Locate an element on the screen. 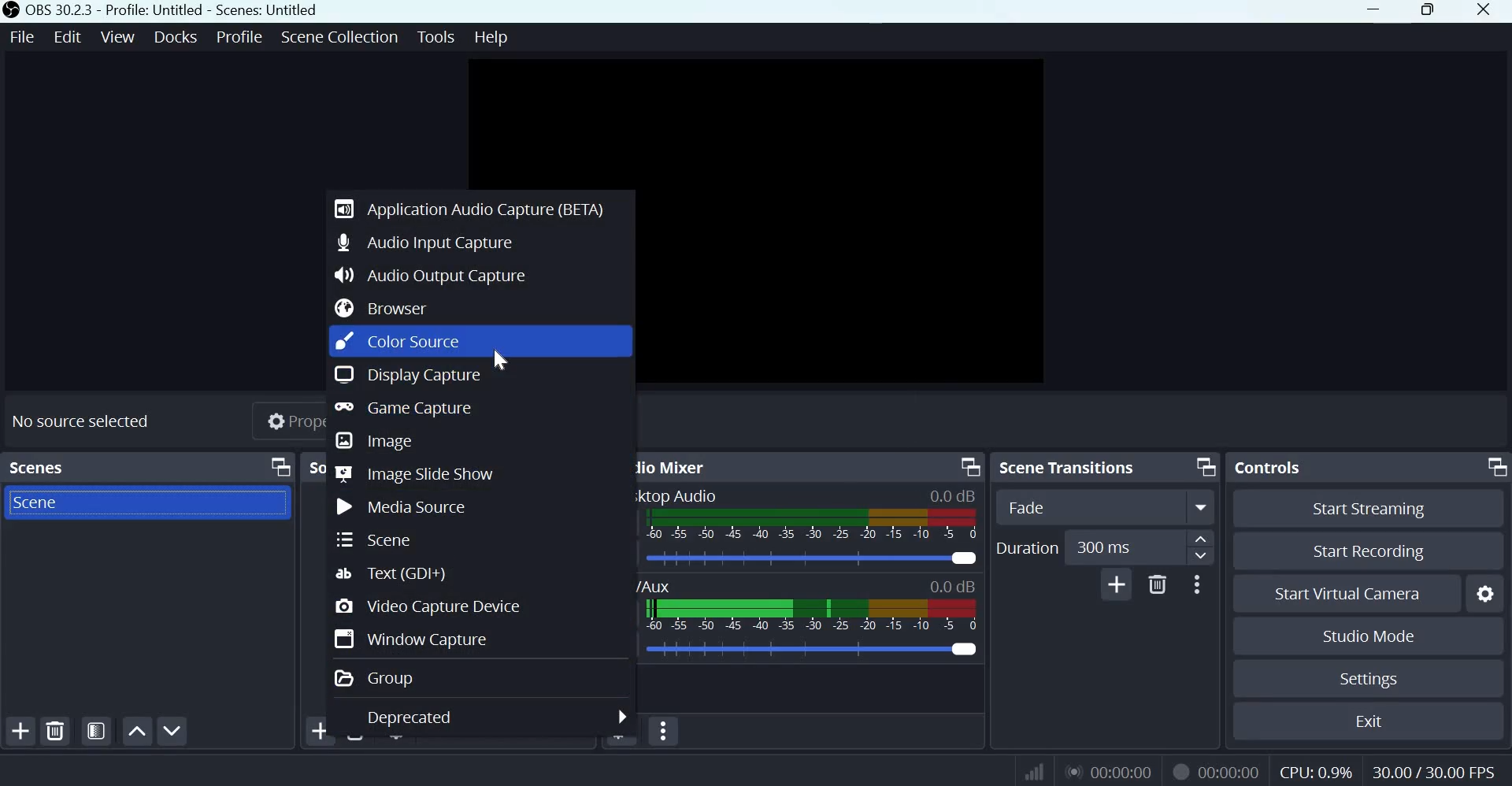  Media source is located at coordinates (408, 506).